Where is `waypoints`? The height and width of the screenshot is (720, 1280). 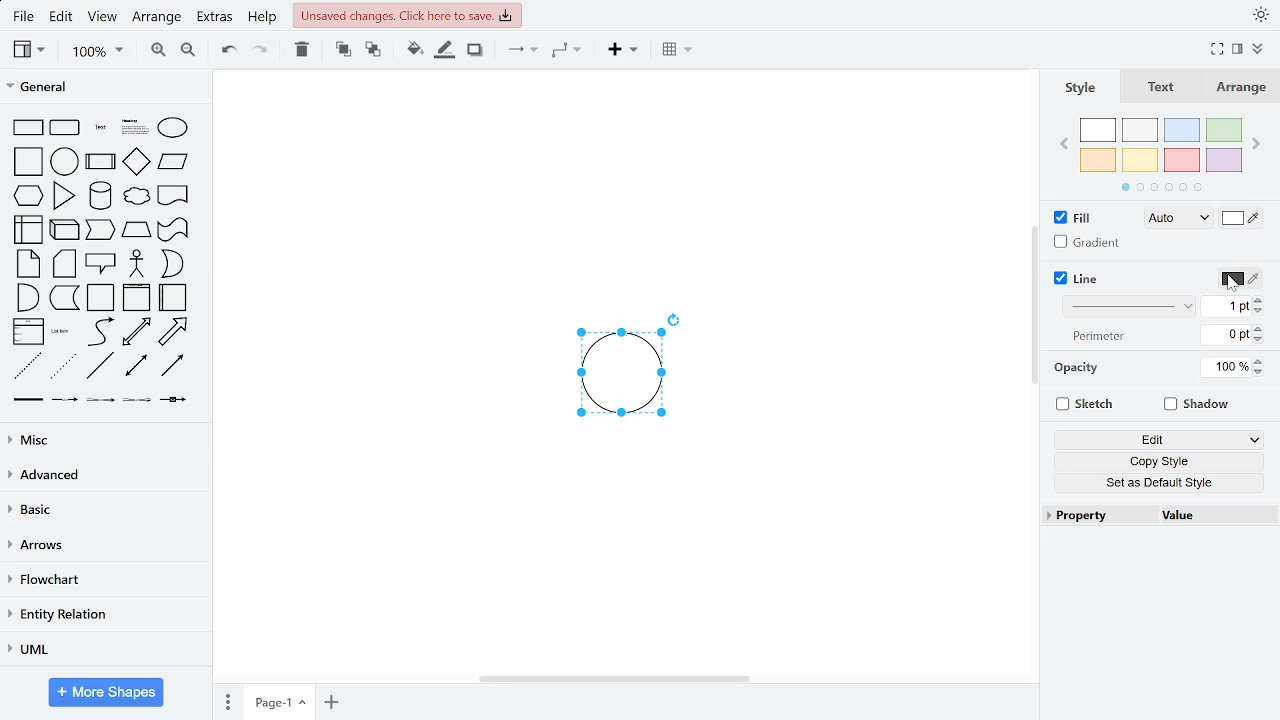
waypoints is located at coordinates (567, 50).